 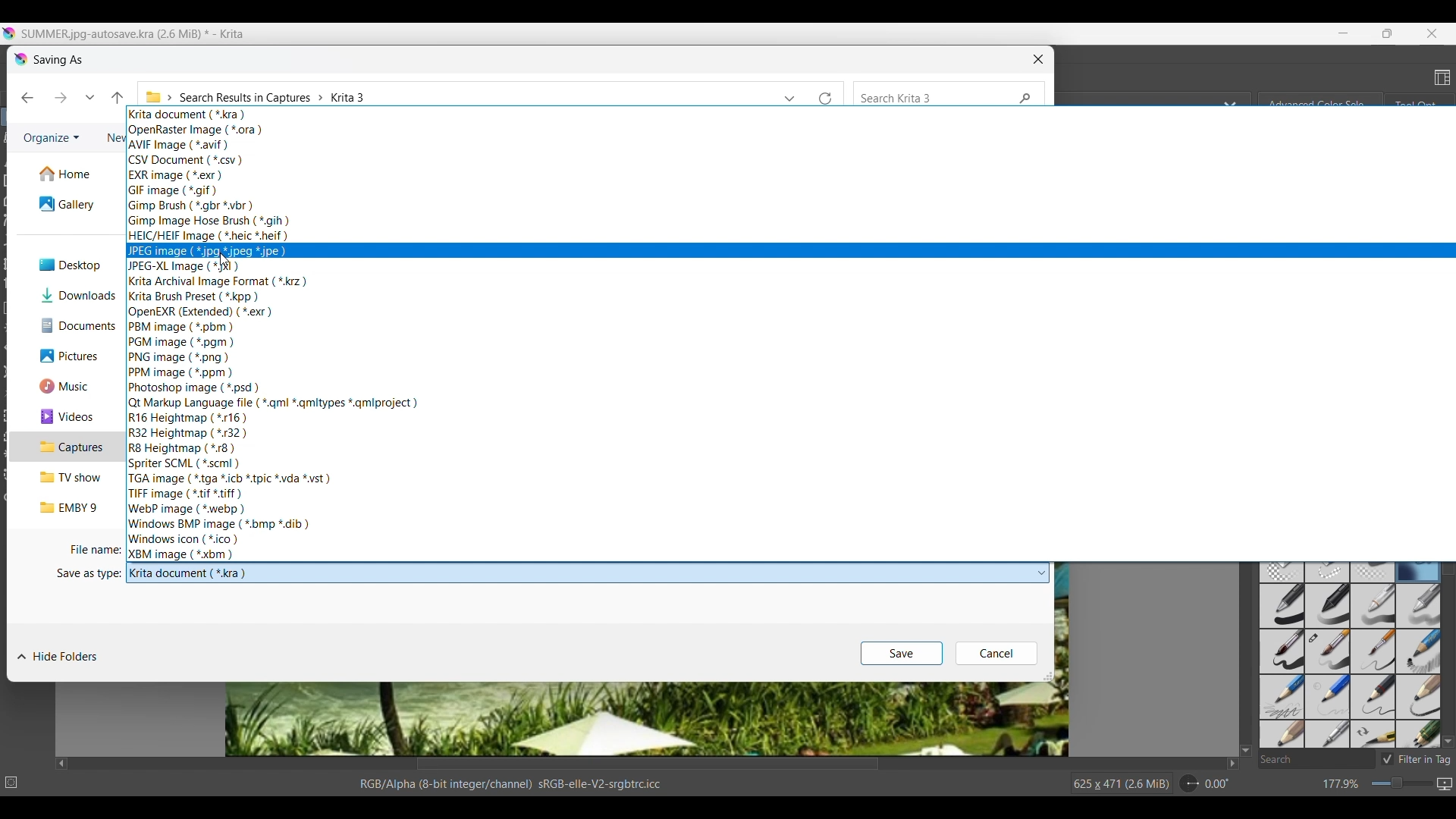 What do you see at coordinates (578, 574) in the screenshot?
I see `Enter file format` at bounding box center [578, 574].